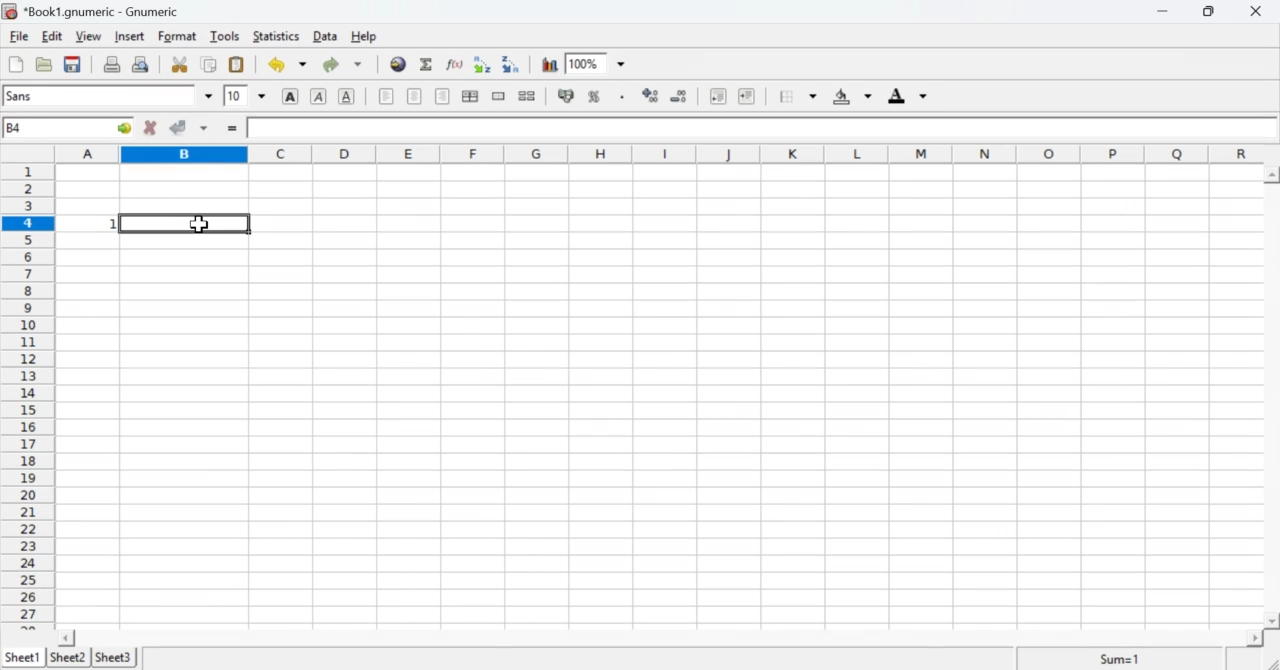 Image resolution: width=1280 pixels, height=670 pixels. What do you see at coordinates (111, 96) in the screenshot?
I see `Font Style` at bounding box center [111, 96].